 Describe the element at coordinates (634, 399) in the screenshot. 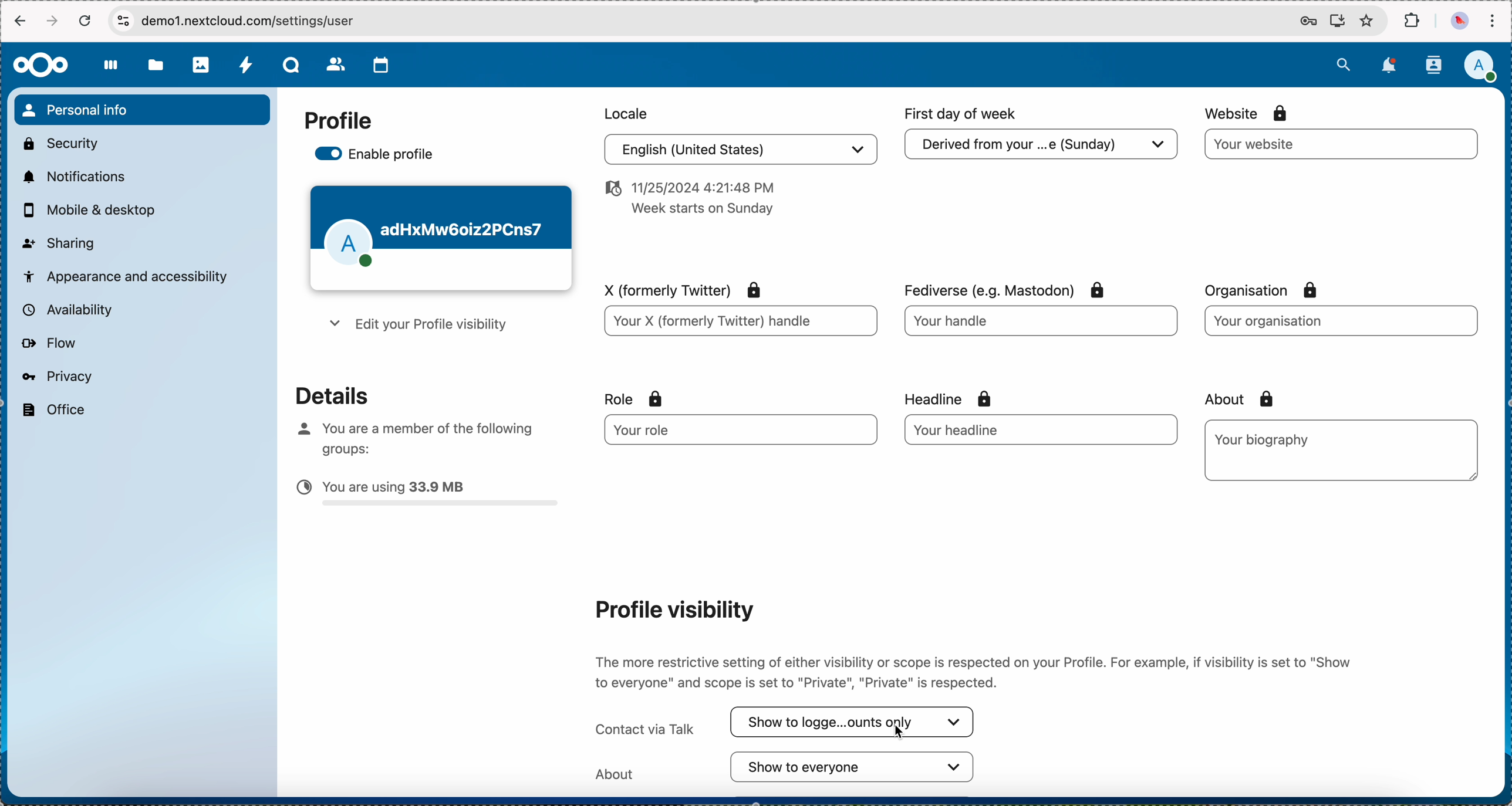

I see `role` at that location.